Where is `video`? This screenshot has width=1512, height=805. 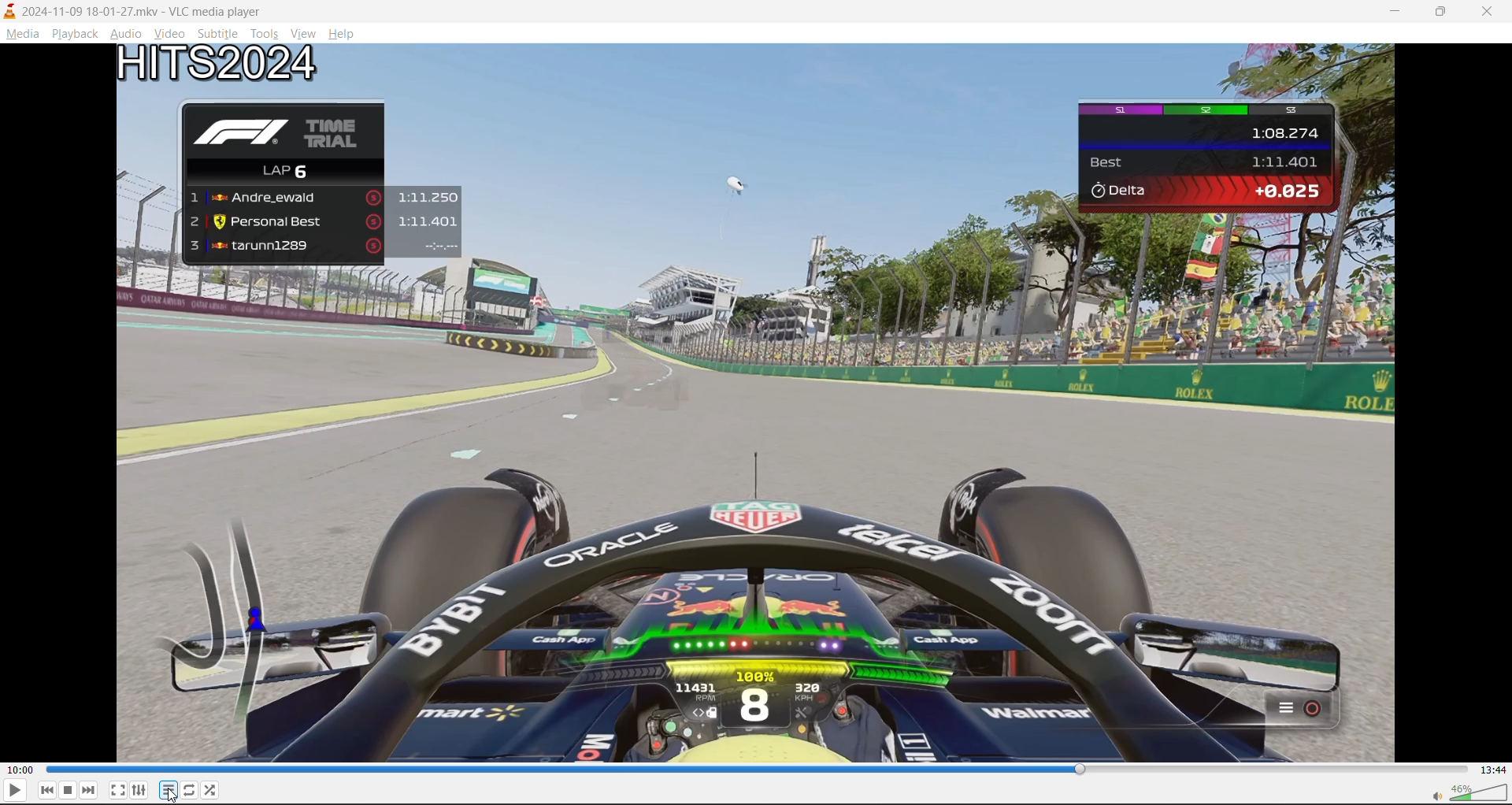
video is located at coordinates (172, 33).